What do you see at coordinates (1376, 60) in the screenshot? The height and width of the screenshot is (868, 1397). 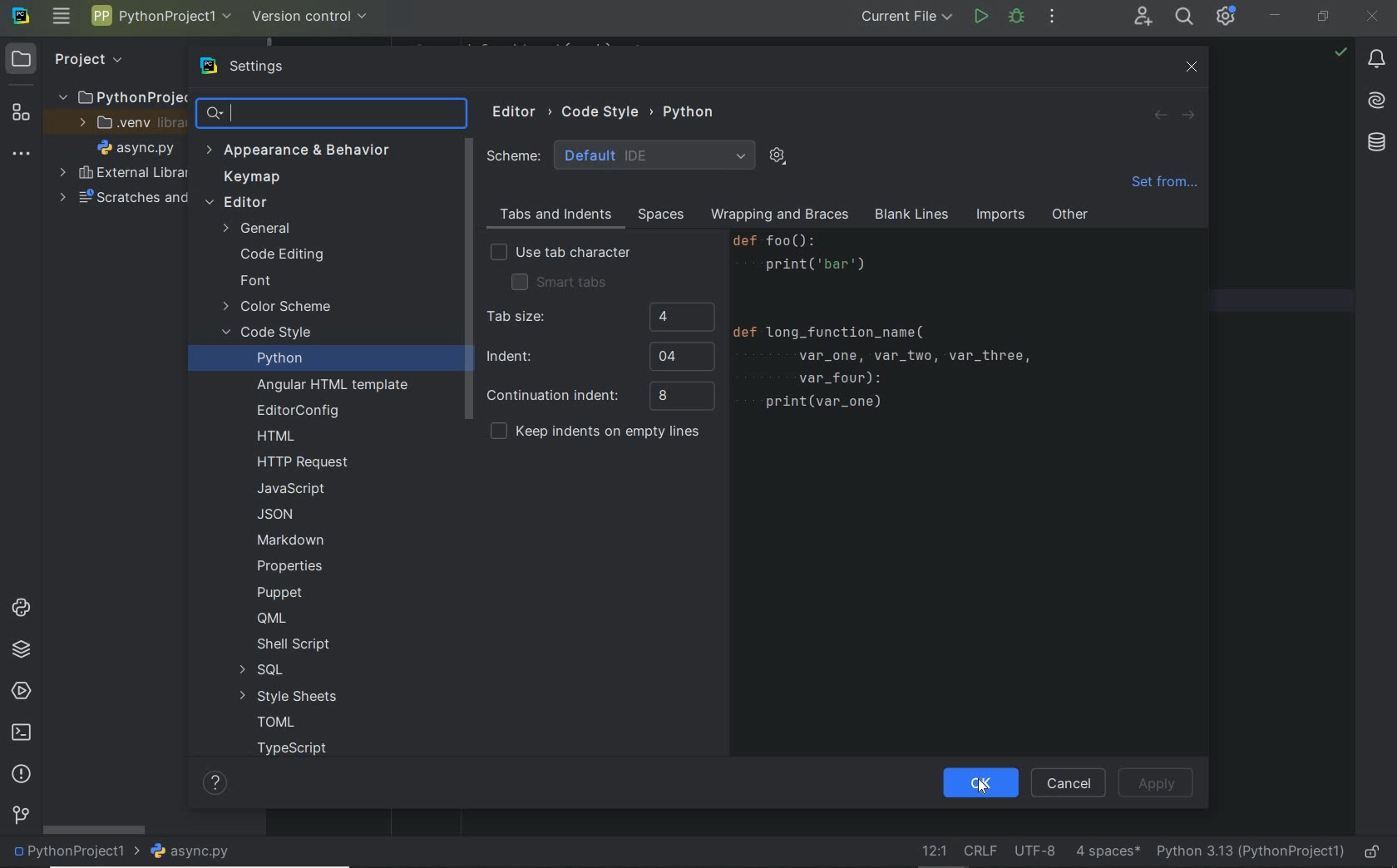 I see `notifications` at bounding box center [1376, 60].